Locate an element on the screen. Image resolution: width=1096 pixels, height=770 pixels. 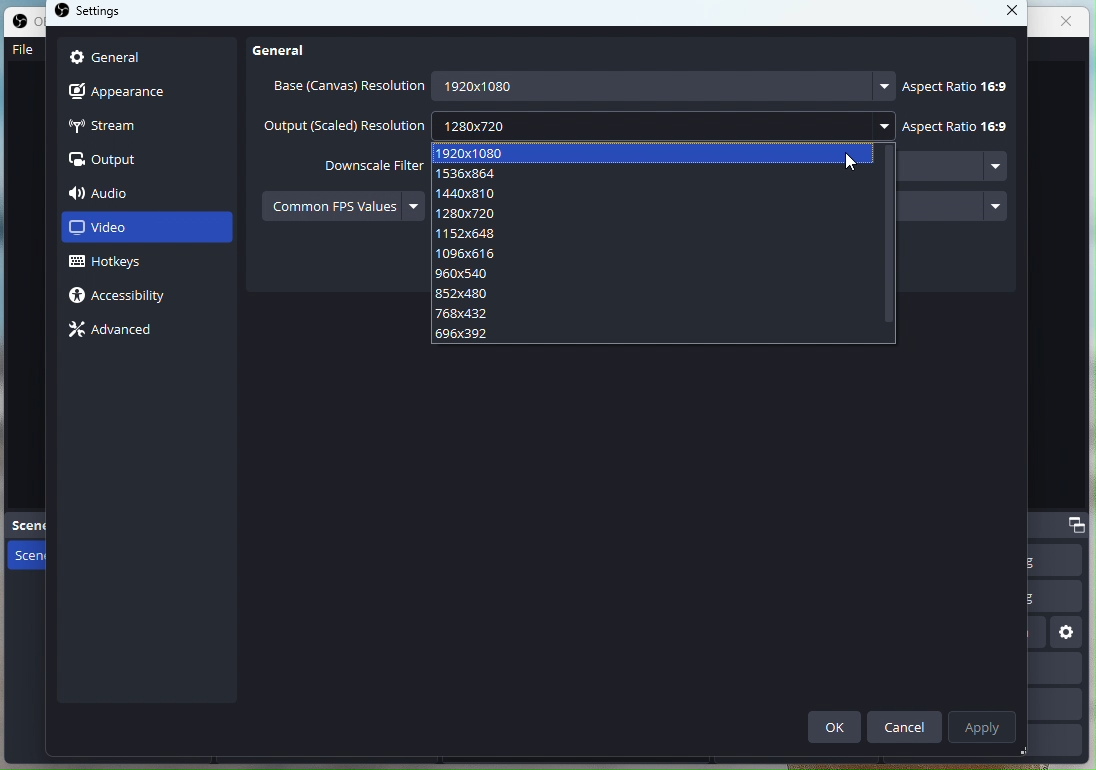
1152x648 is located at coordinates (657, 233).